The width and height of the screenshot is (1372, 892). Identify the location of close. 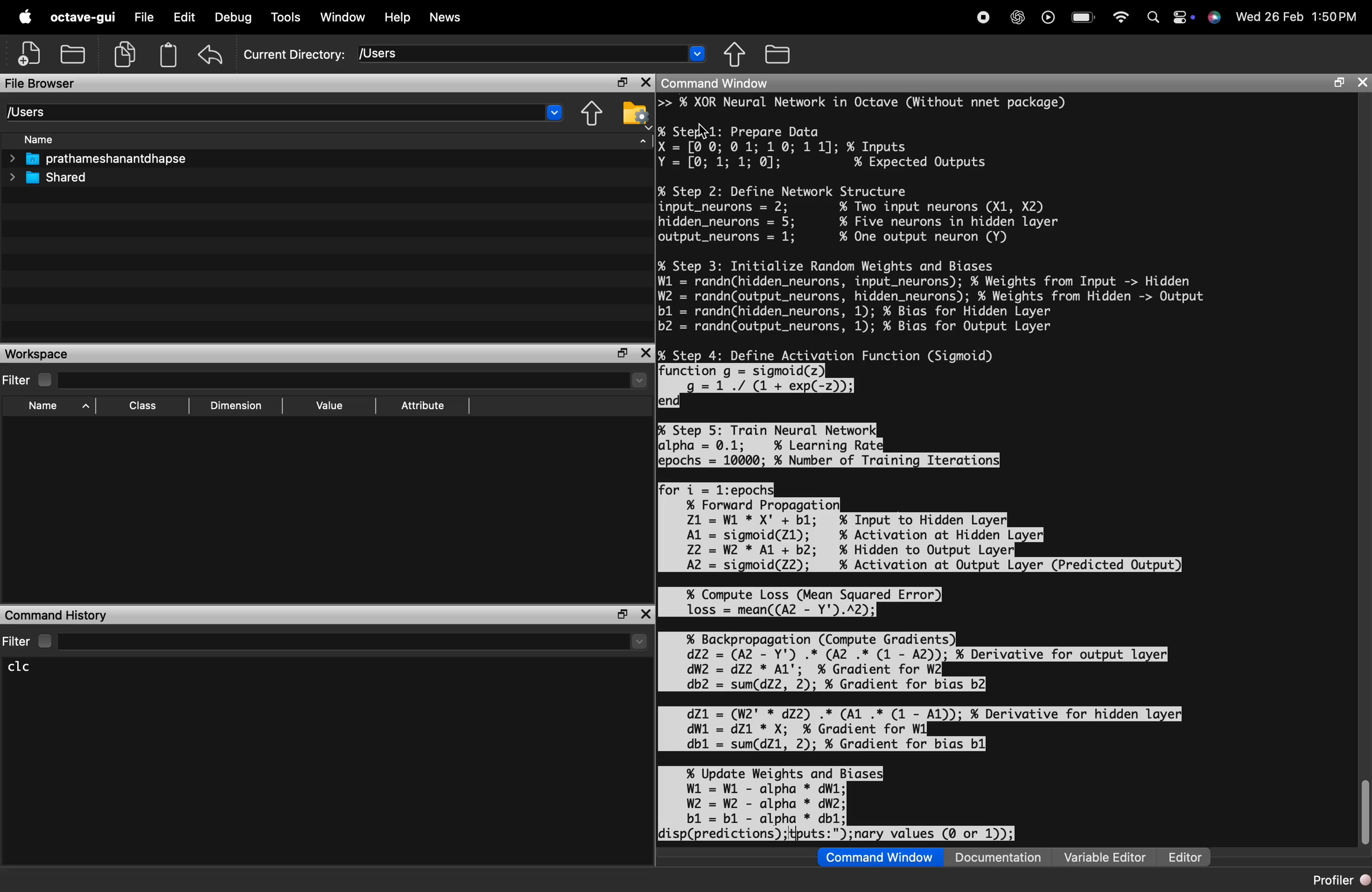
(644, 84).